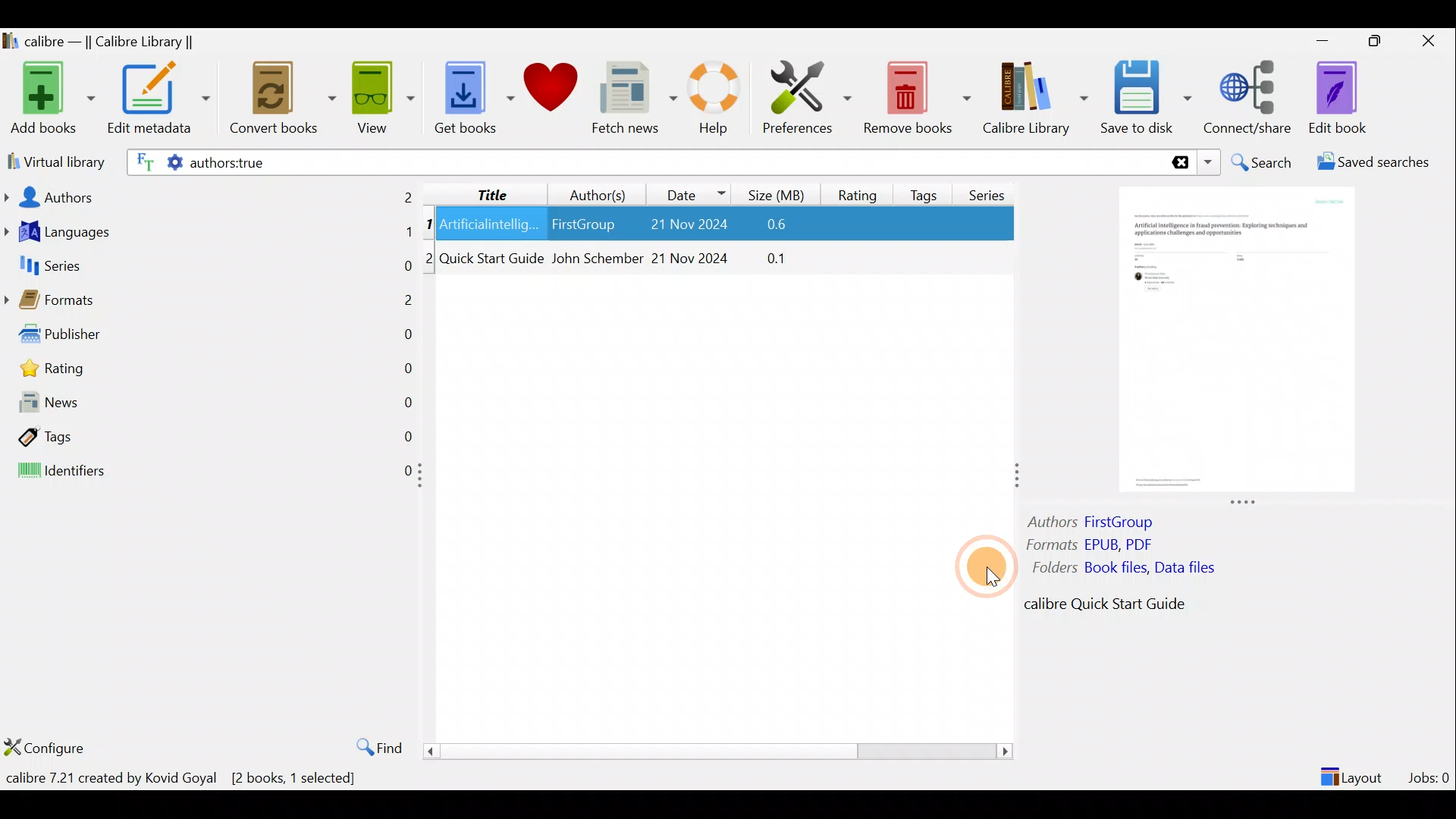 This screenshot has height=819, width=1456. Describe the element at coordinates (1335, 99) in the screenshot. I see `Edit book` at that location.